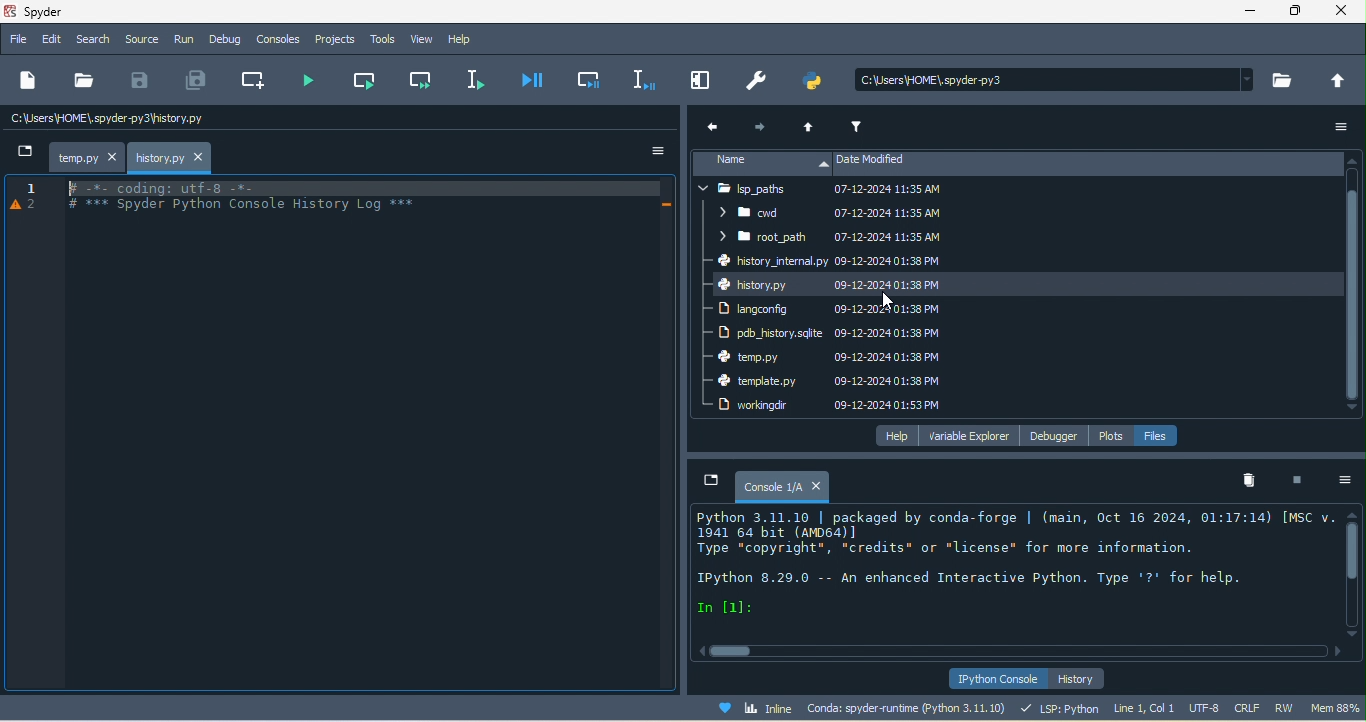 This screenshot has width=1366, height=722. What do you see at coordinates (304, 81) in the screenshot?
I see `run file` at bounding box center [304, 81].